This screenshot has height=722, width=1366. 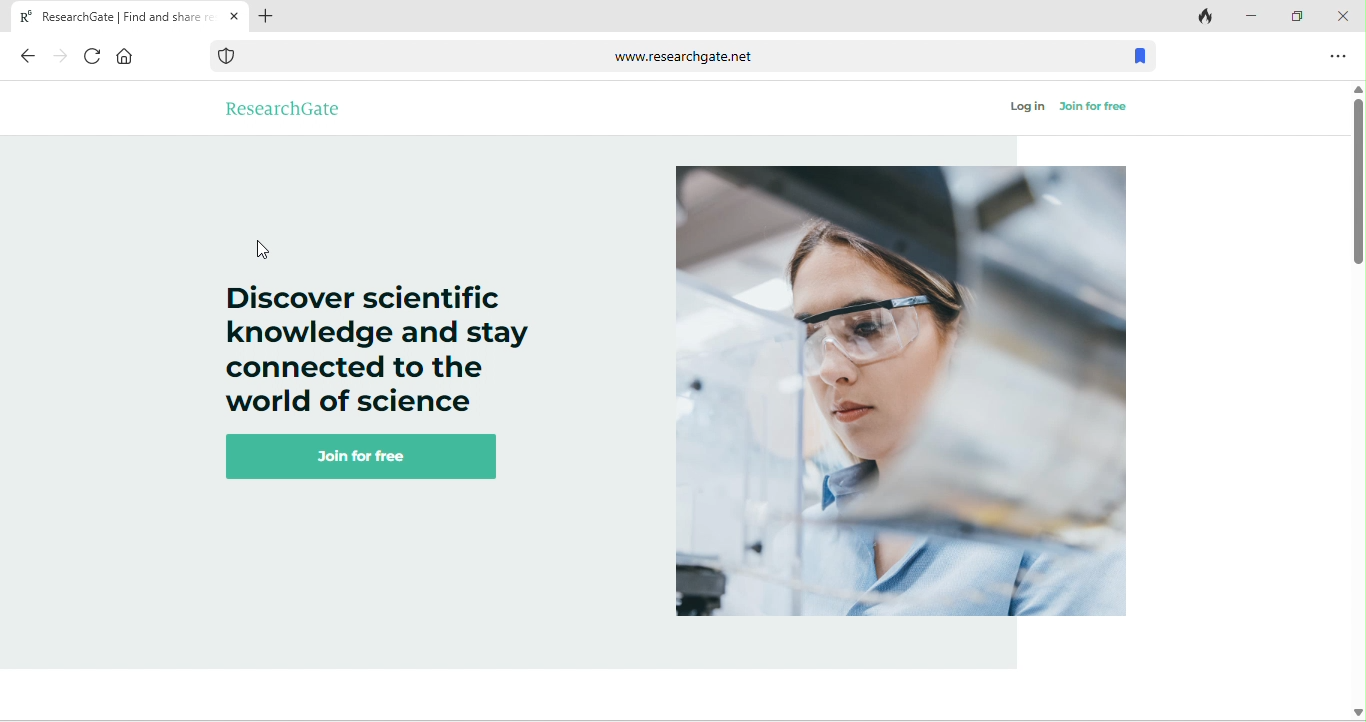 What do you see at coordinates (1093, 109) in the screenshot?
I see `join for free` at bounding box center [1093, 109].